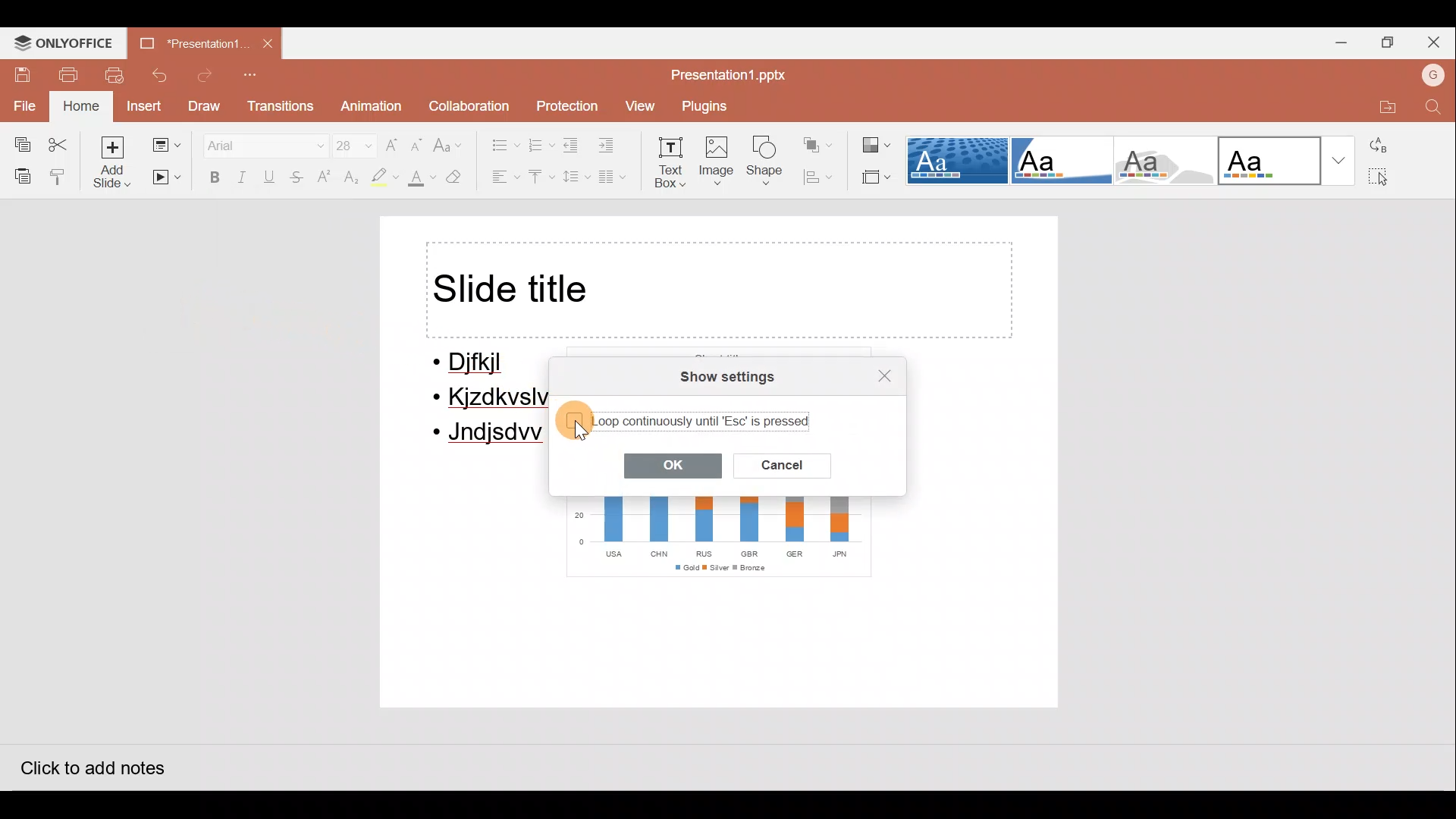 Image resolution: width=1456 pixels, height=819 pixels. What do you see at coordinates (159, 74) in the screenshot?
I see `Undo` at bounding box center [159, 74].